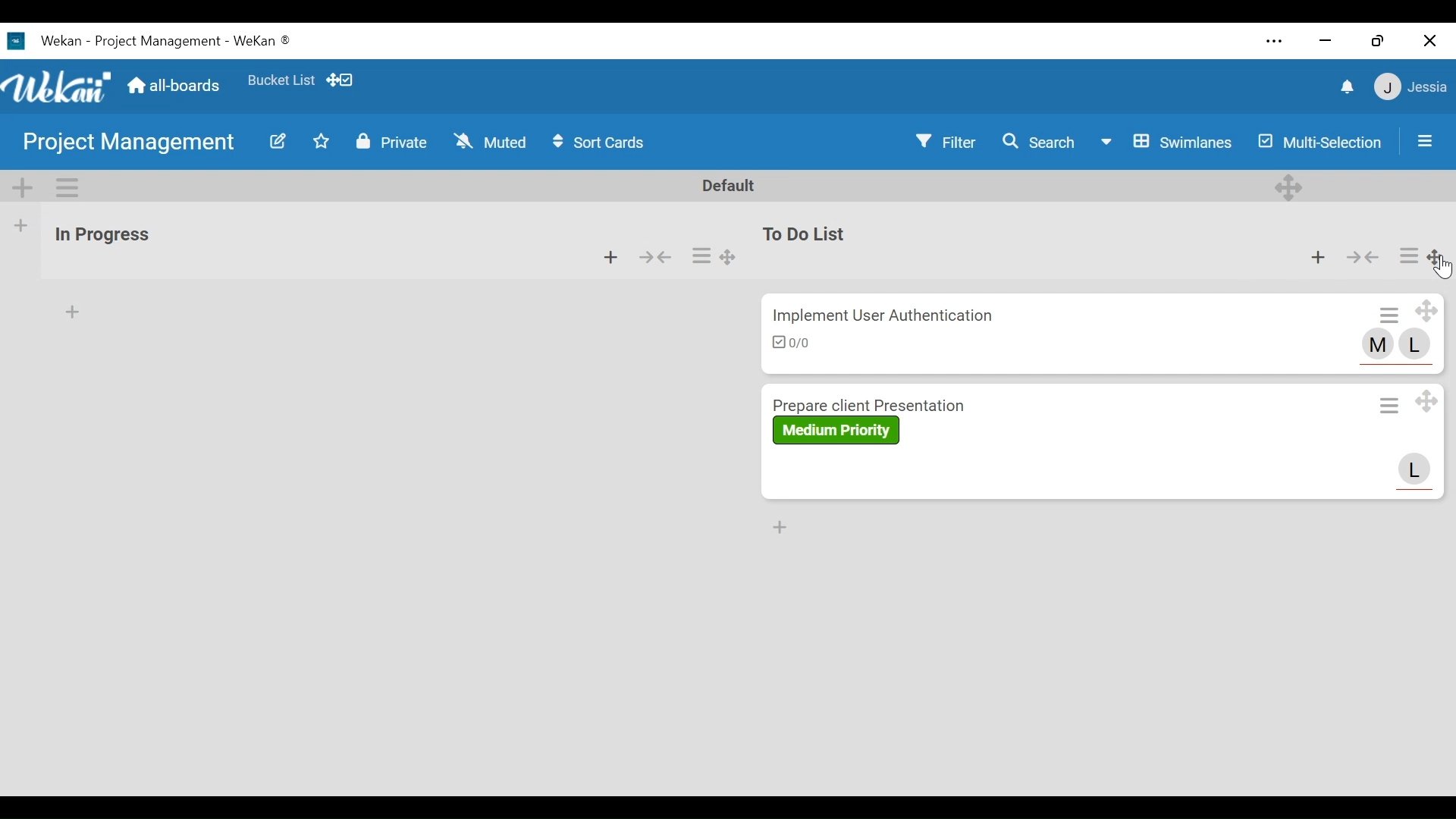  Describe the element at coordinates (1318, 142) in the screenshot. I see `Multi-Selection` at that location.